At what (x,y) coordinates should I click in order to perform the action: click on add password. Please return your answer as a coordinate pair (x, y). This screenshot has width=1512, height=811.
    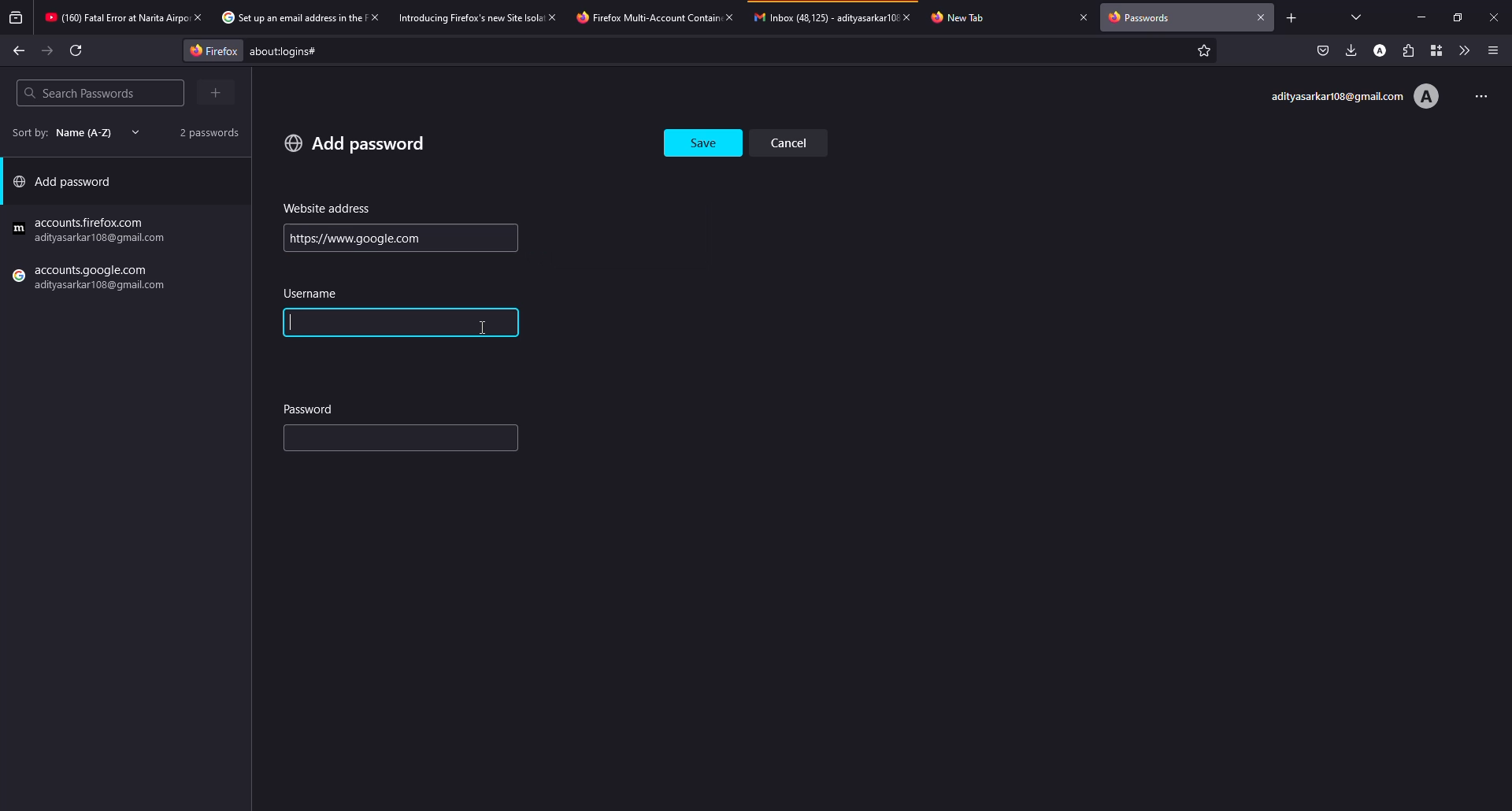
    Looking at the image, I should click on (68, 185).